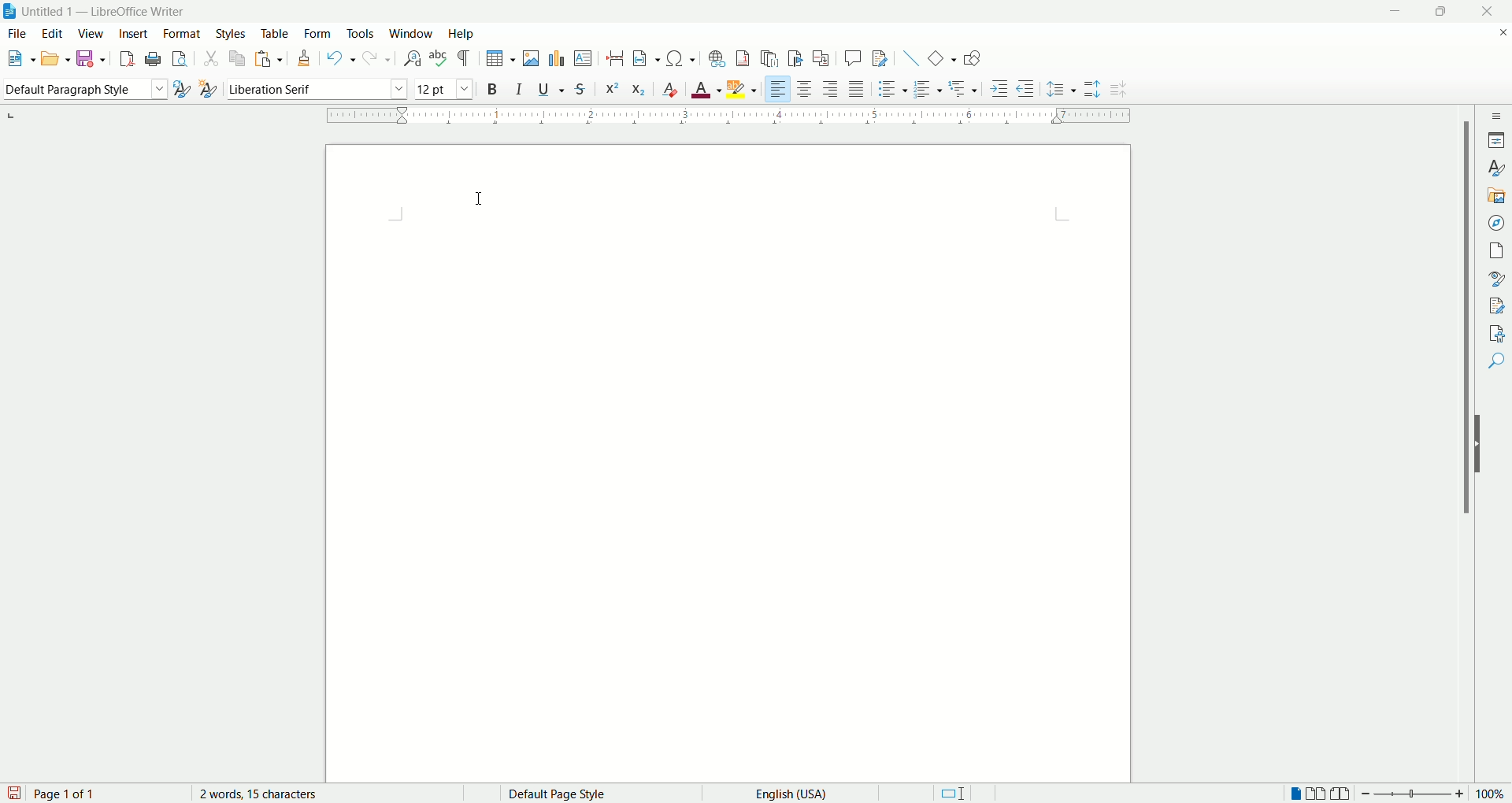 This screenshot has width=1512, height=803. What do you see at coordinates (557, 56) in the screenshot?
I see `insert chart` at bounding box center [557, 56].